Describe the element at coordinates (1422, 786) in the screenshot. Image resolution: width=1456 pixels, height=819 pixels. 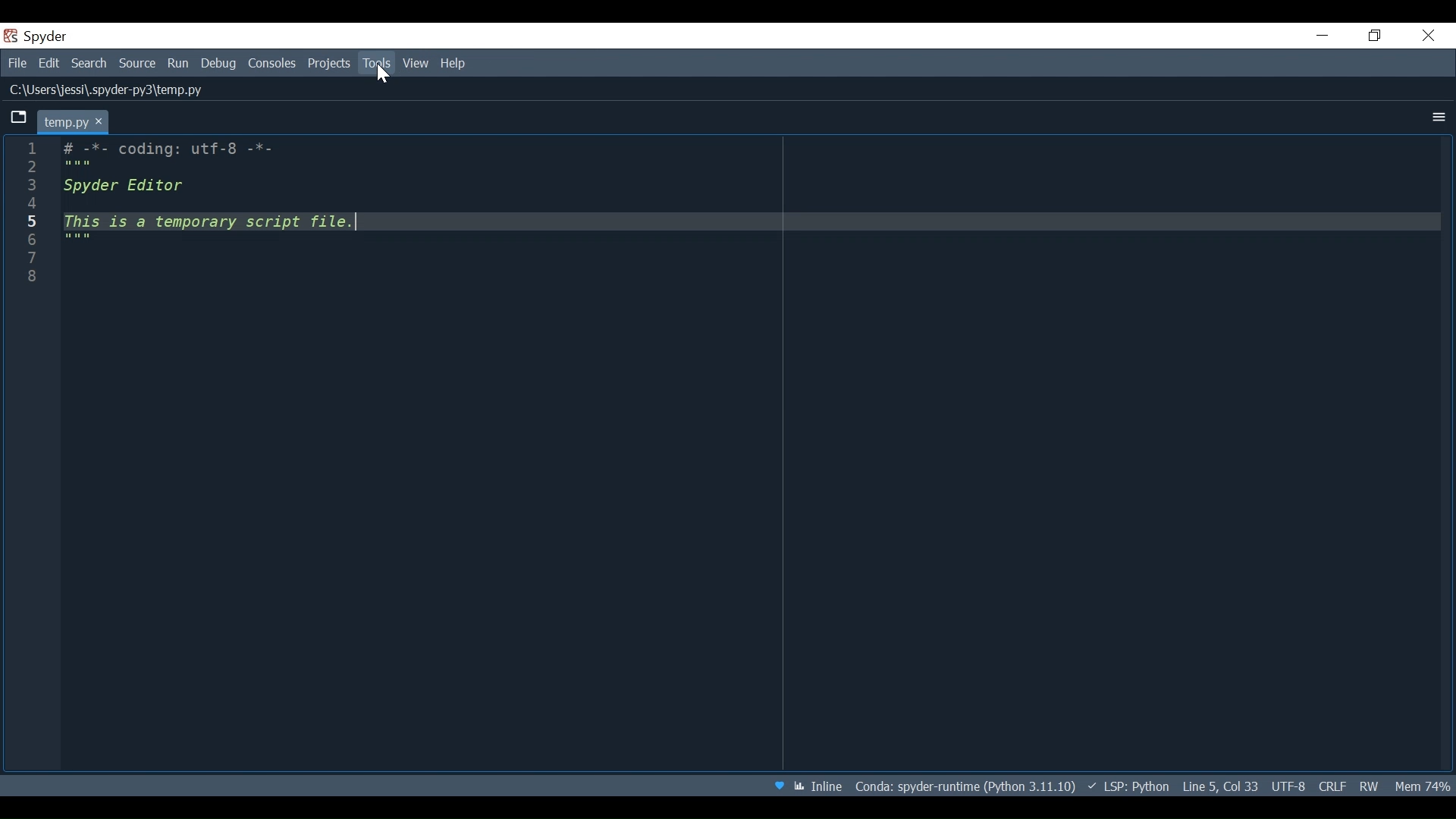
I see `Memory Usage` at that location.